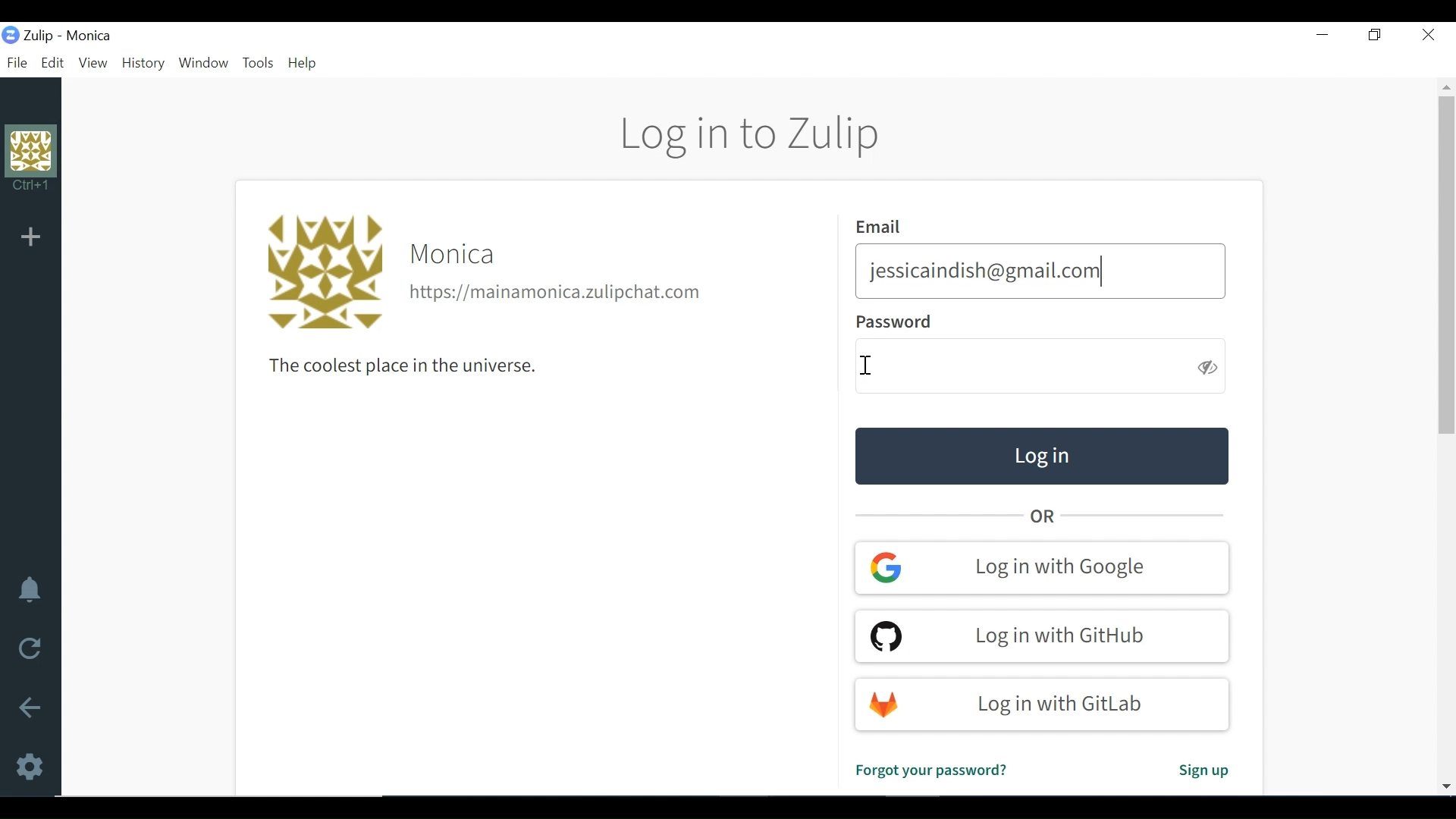  Describe the element at coordinates (1040, 456) in the screenshot. I see `Log in` at that location.